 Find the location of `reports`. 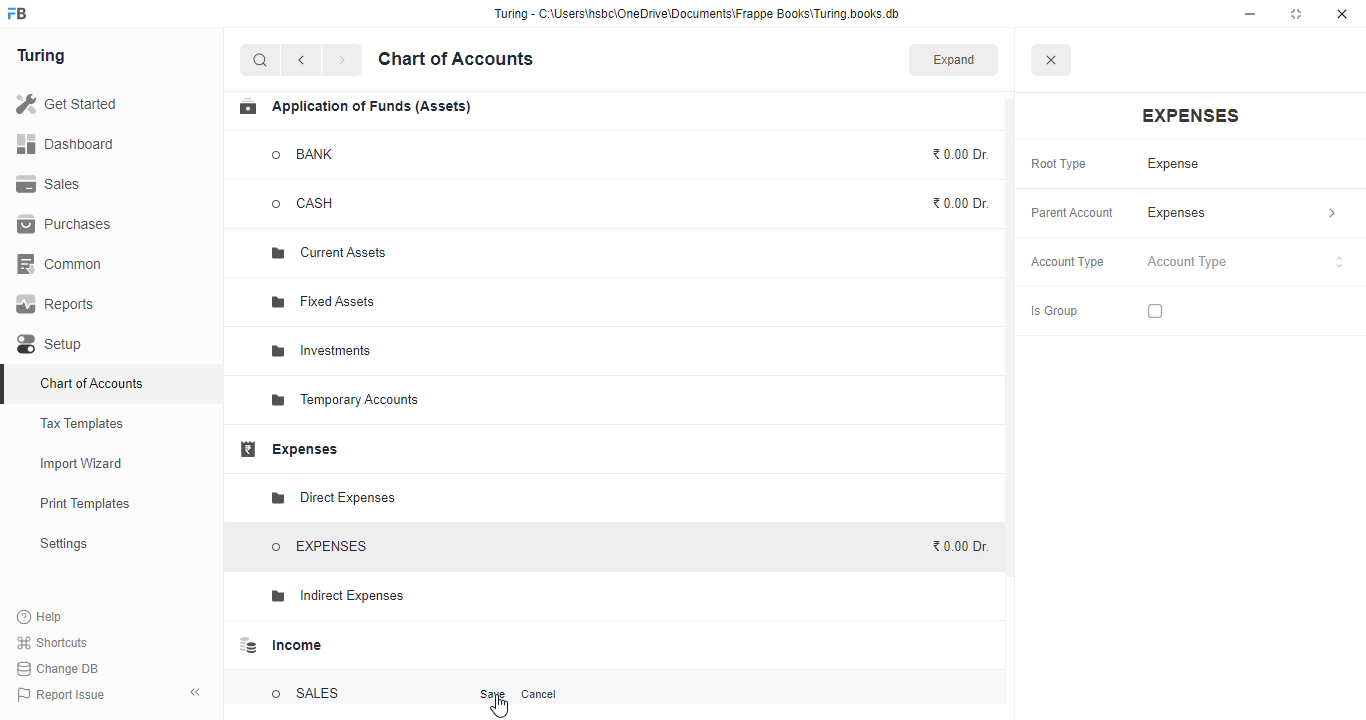

reports is located at coordinates (56, 304).